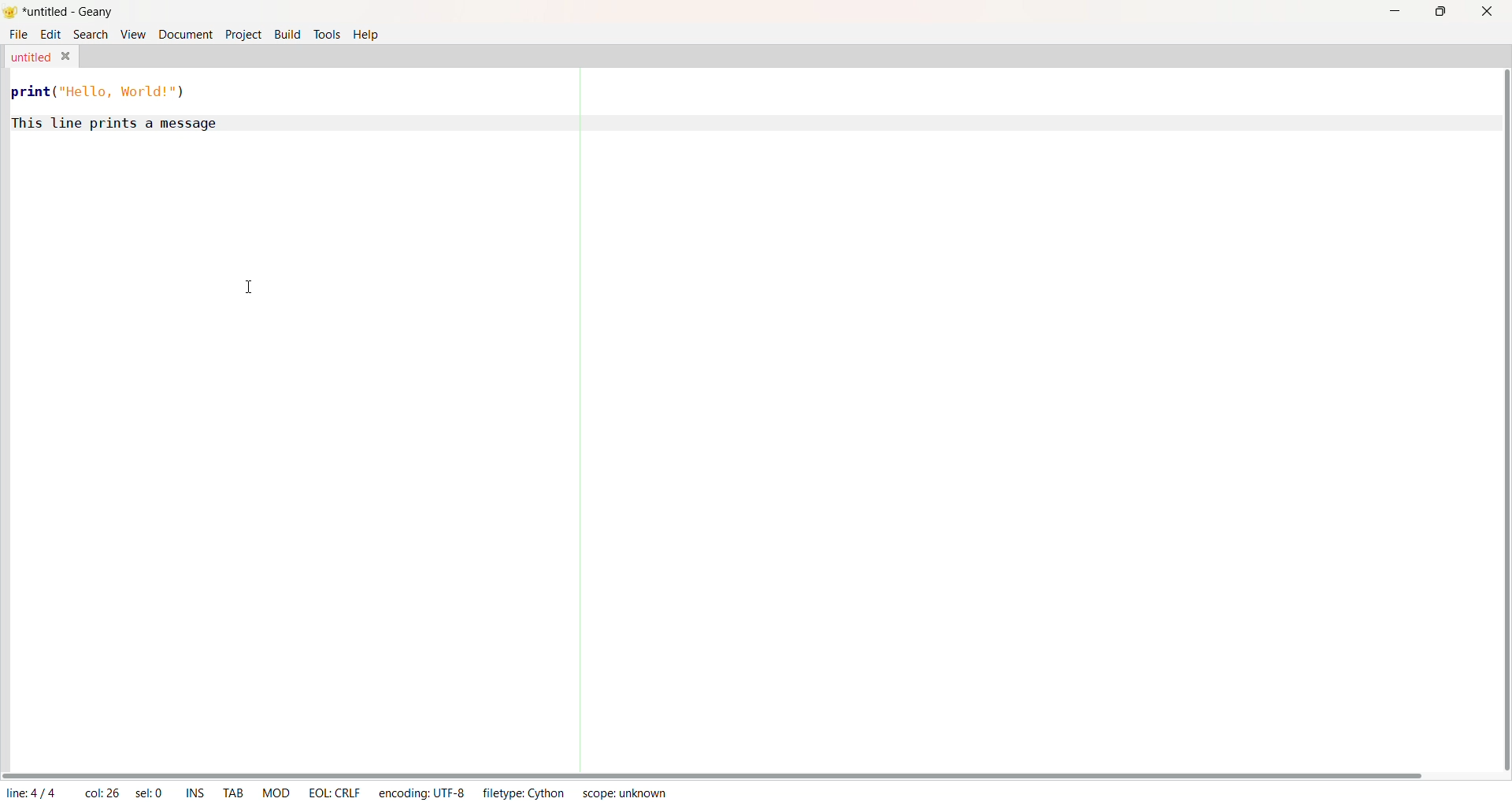  What do you see at coordinates (105, 91) in the screenshot?
I see `print("Hello, World! ")` at bounding box center [105, 91].